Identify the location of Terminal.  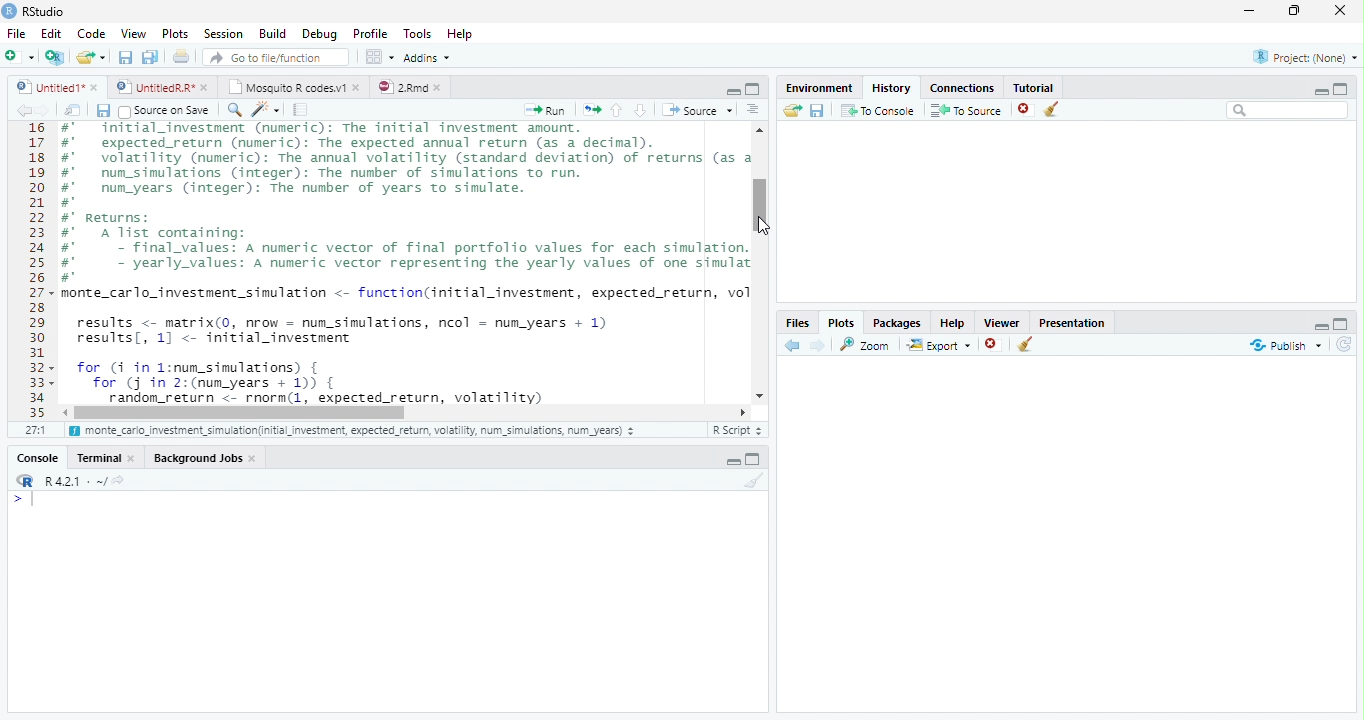
(107, 457).